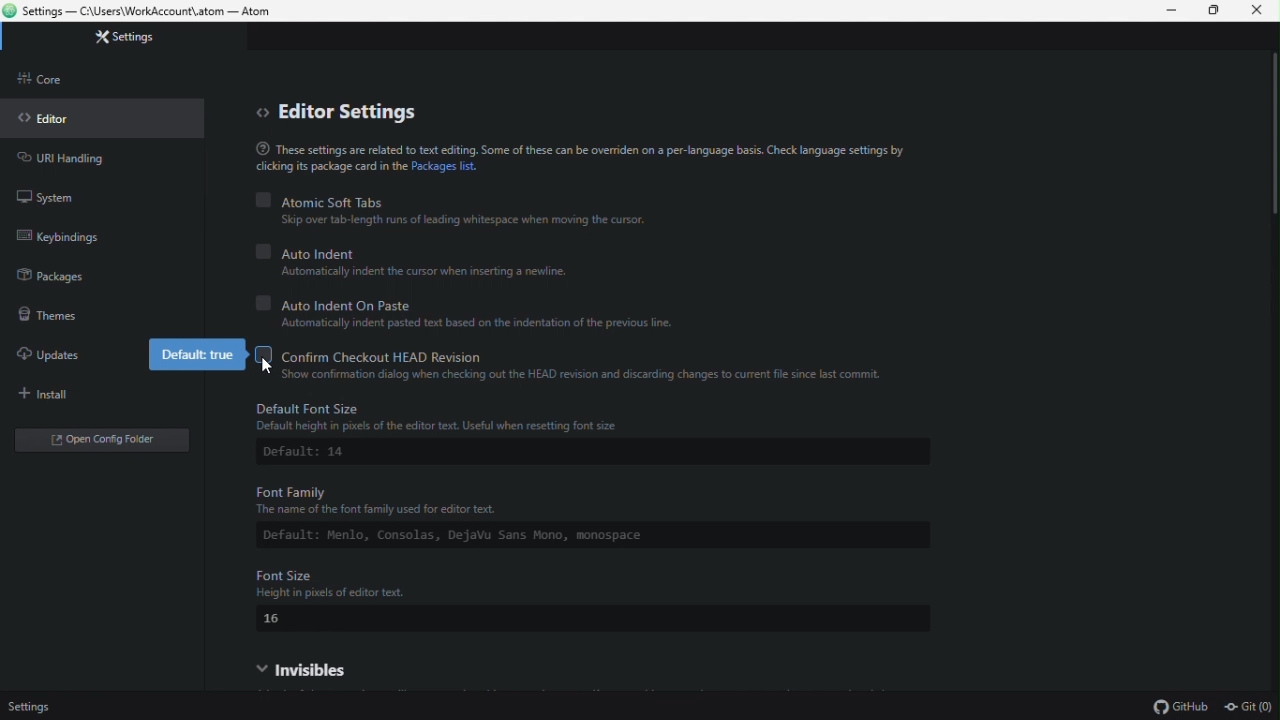 The height and width of the screenshot is (720, 1280). What do you see at coordinates (1164, 12) in the screenshot?
I see `minimize` at bounding box center [1164, 12].